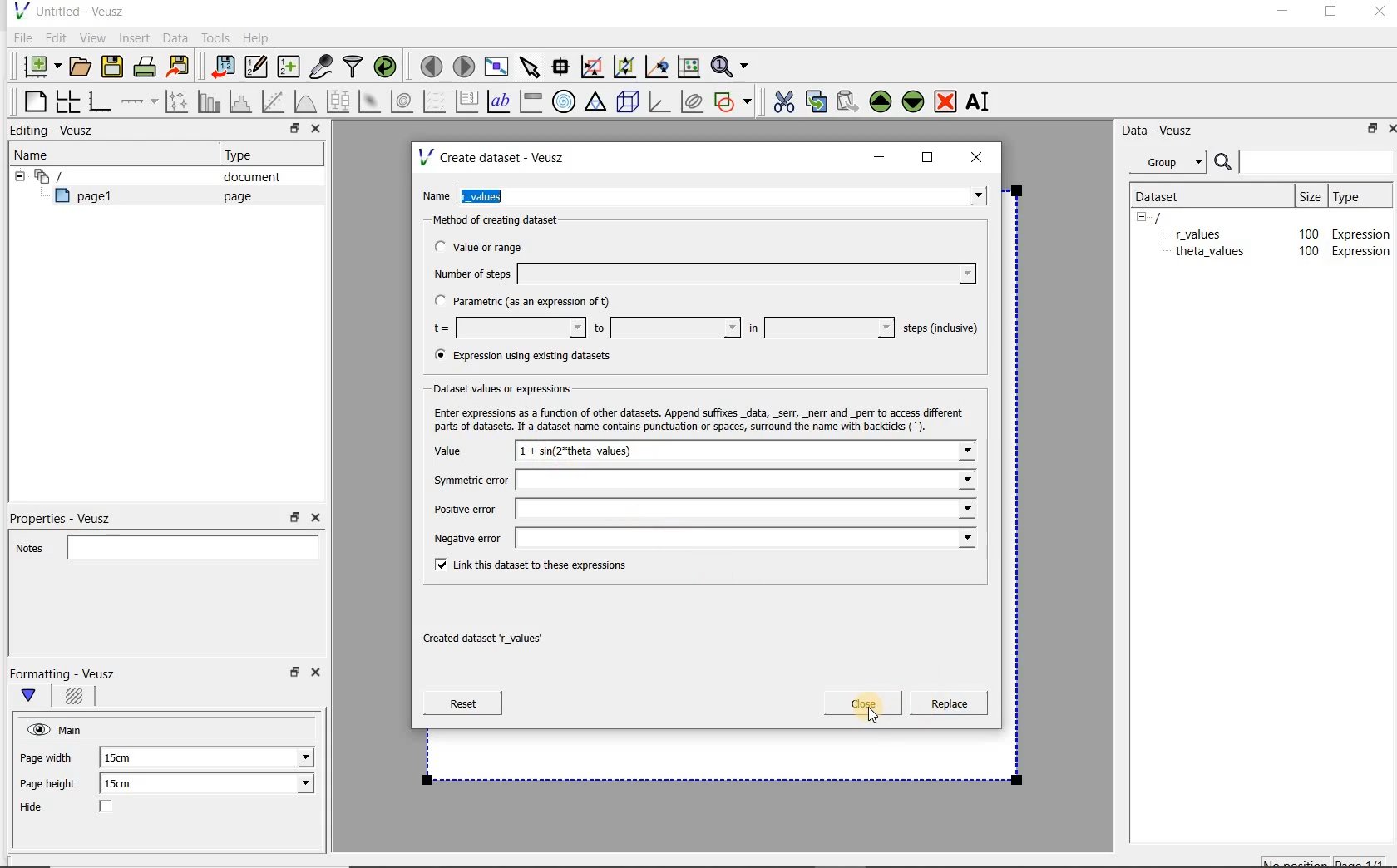 This screenshot has height=868, width=1397. I want to click on Create dataset - Veusz, so click(494, 157).